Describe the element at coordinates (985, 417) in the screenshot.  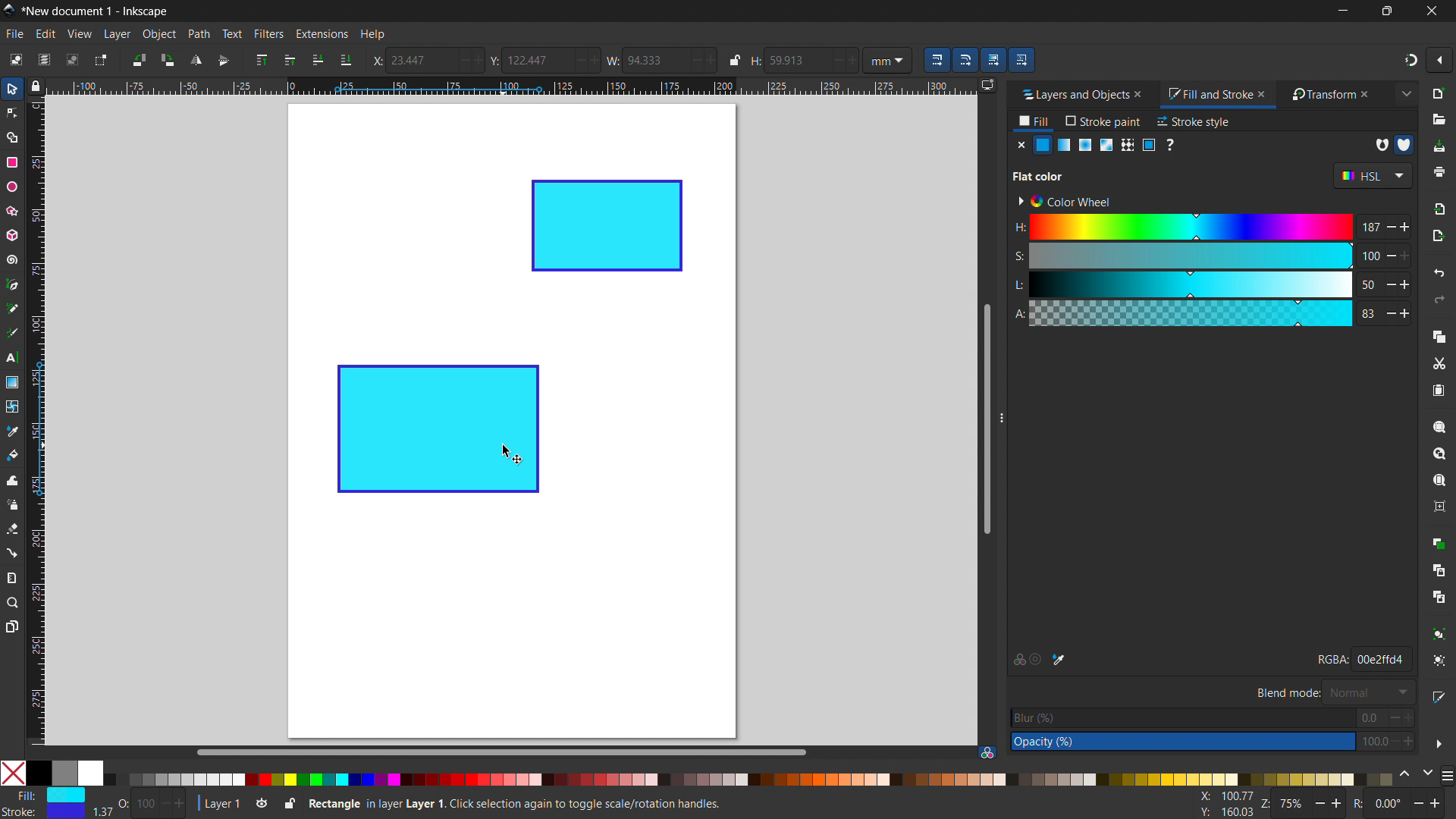
I see `vertical scrollbar` at that location.